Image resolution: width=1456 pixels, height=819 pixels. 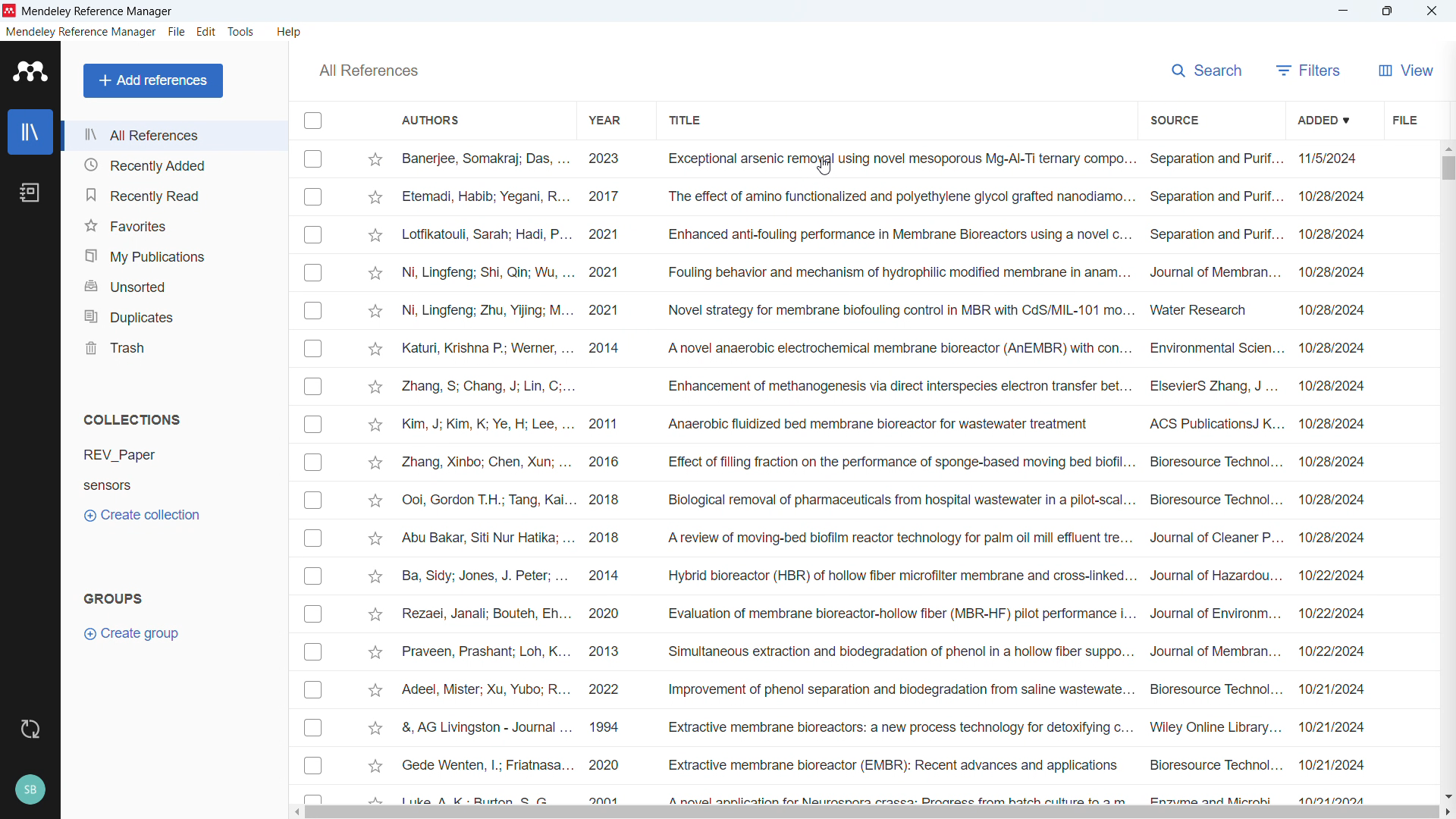 I want to click on extractive membrane bioreactors a new process technology for detoxifying, so click(x=896, y=729).